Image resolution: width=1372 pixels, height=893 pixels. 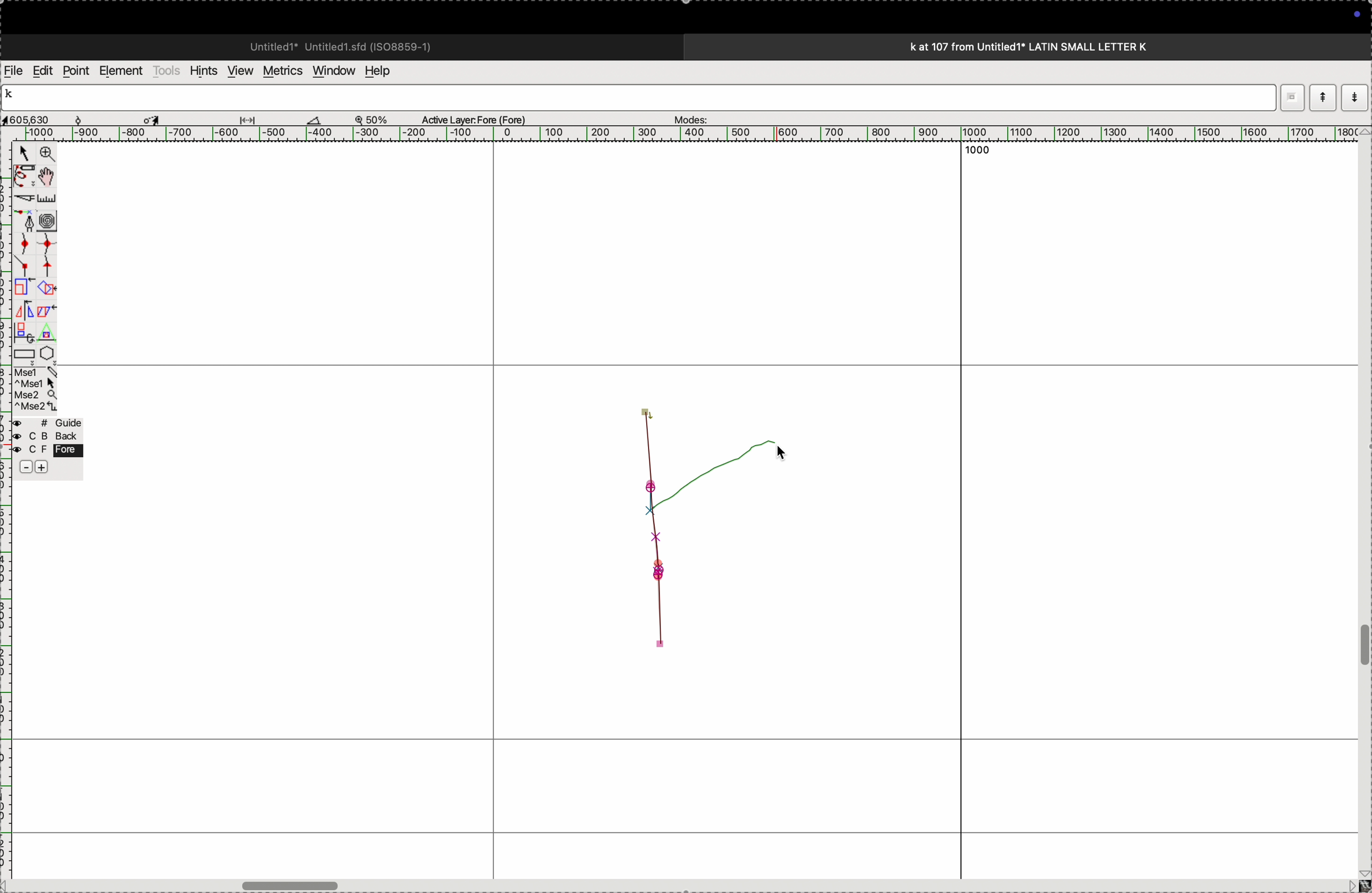 I want to click on element, so click(x=122, y=71).